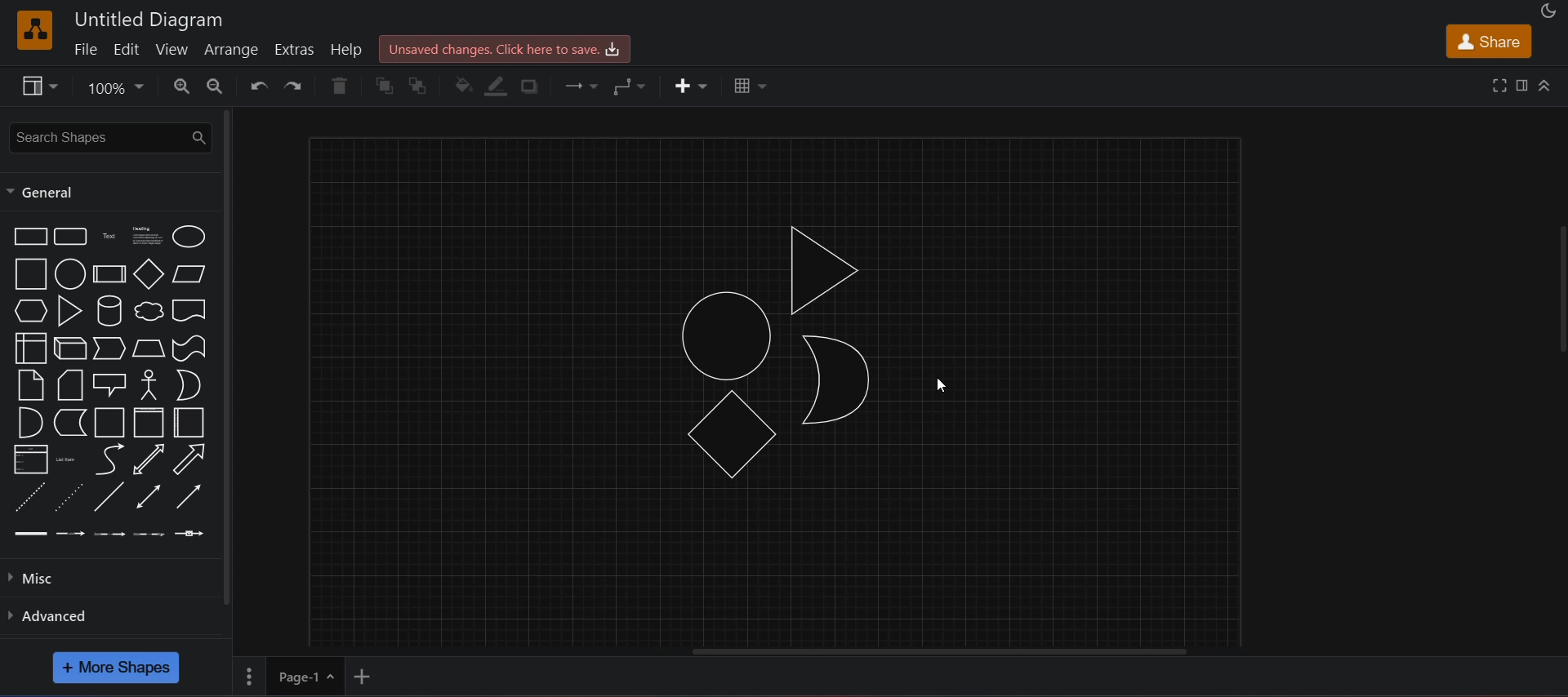 The image size is (1568, 697). What do you see at coordinates (71, 421) in the screenshot?
I see `data storage` at bounding box center [71, 421].